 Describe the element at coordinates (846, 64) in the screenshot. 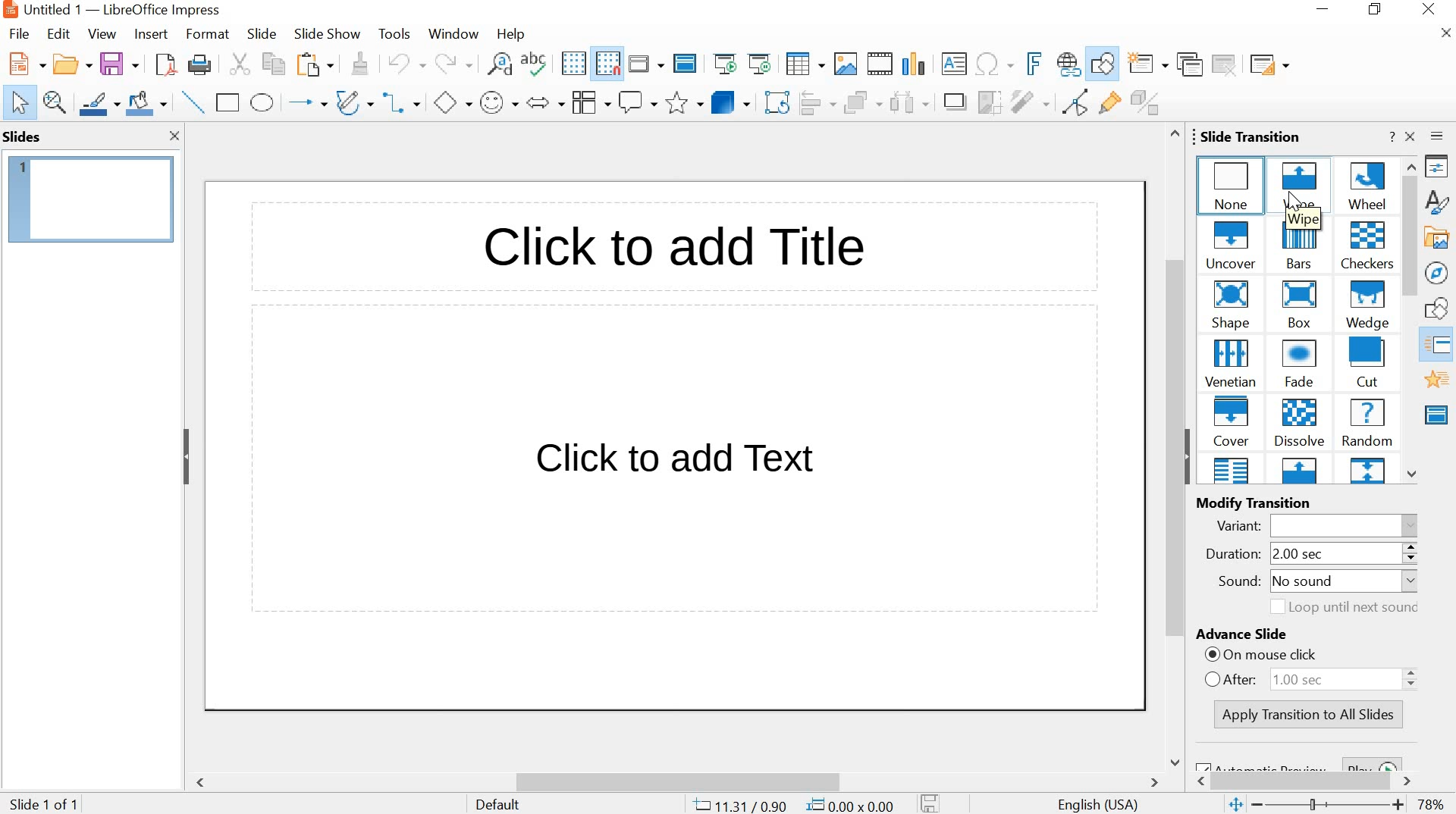

I see `Insert Image` at that location.